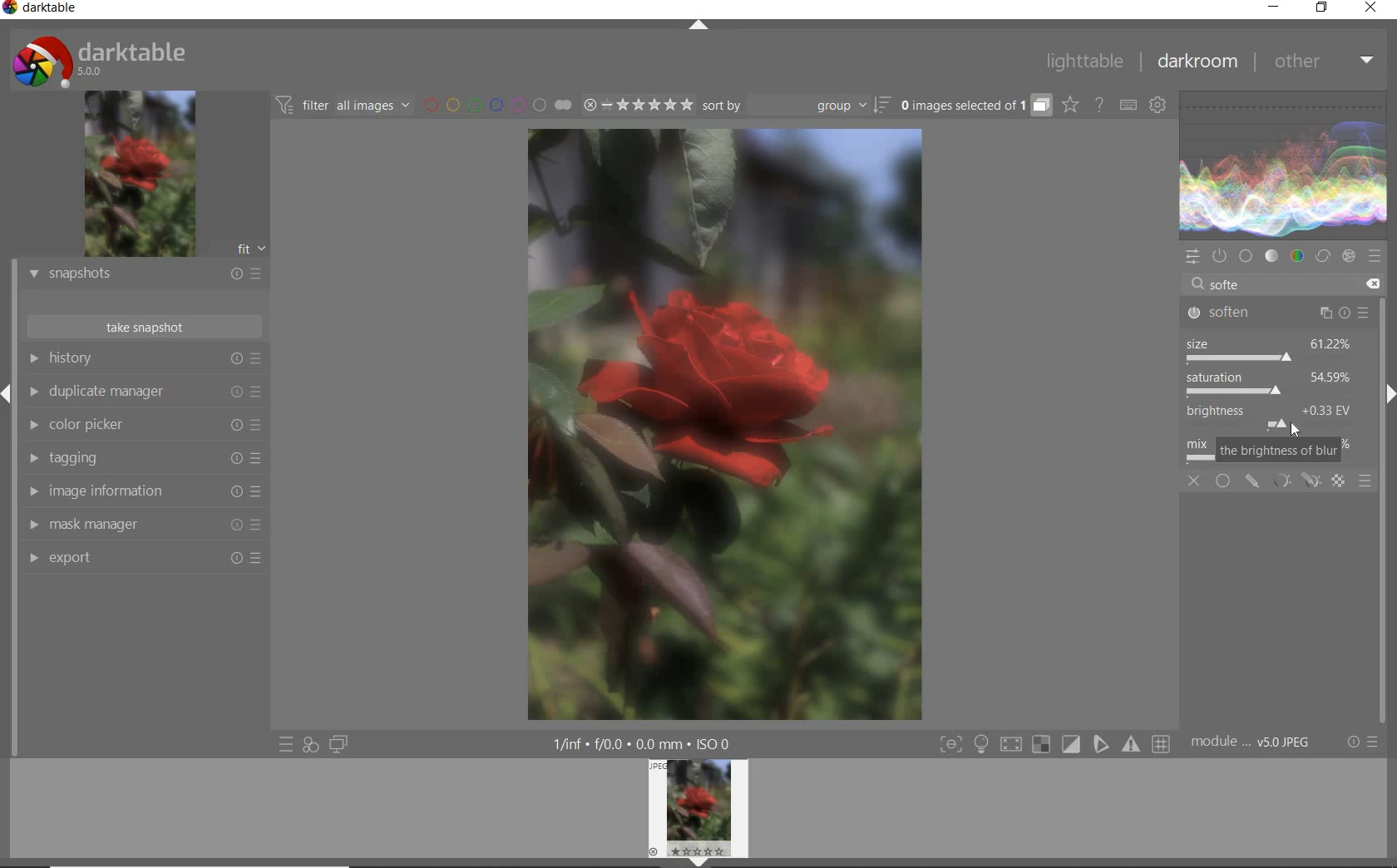  I want to click on quick access for applying any of your styles, so click(310, 747).